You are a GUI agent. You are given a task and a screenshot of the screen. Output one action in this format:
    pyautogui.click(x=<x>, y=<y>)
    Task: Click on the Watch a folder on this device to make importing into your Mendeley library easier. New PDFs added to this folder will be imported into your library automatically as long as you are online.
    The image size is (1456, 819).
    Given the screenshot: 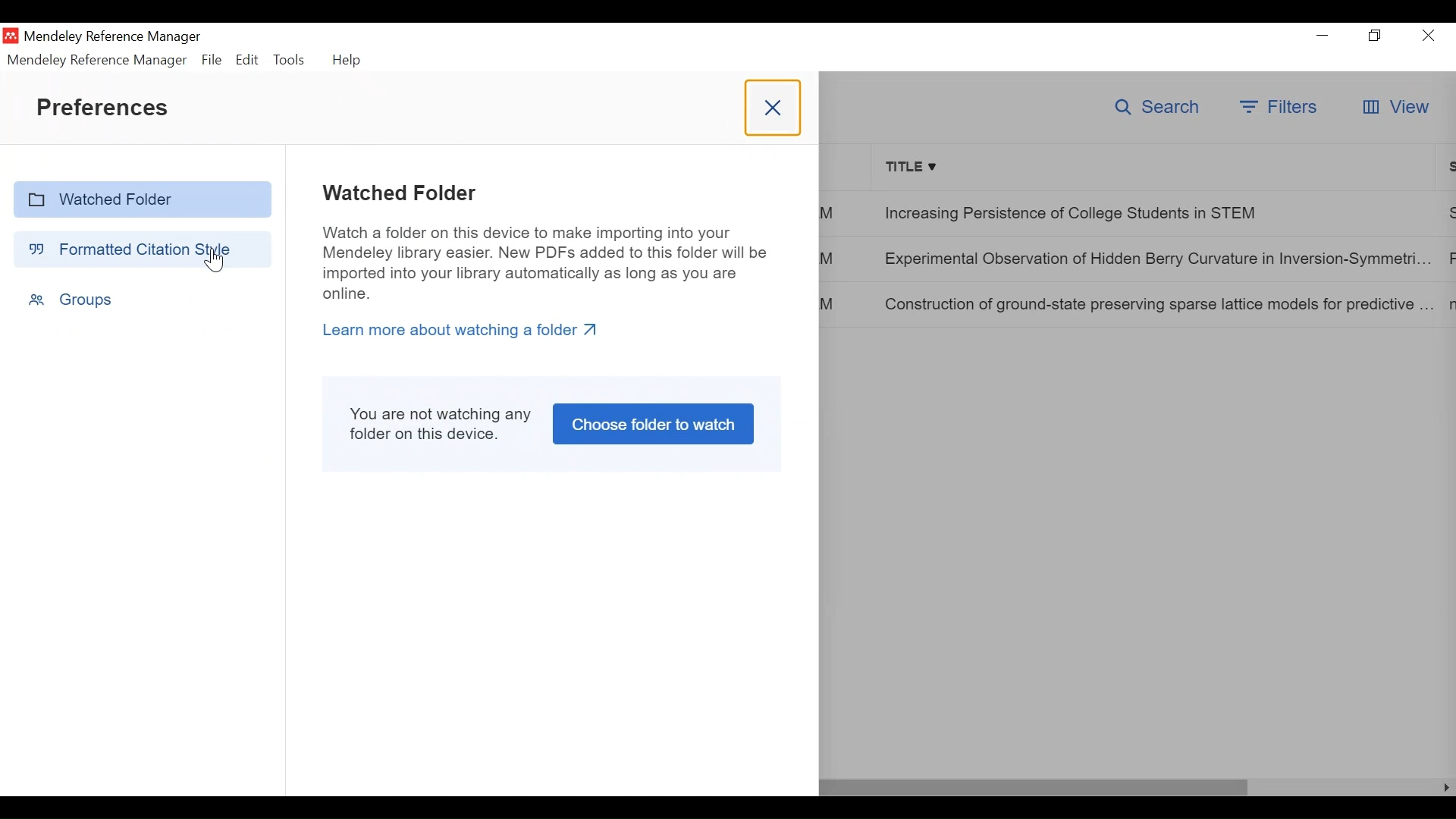 What is the action you would take?
    pyautogui.click(x=549, y=261)
    